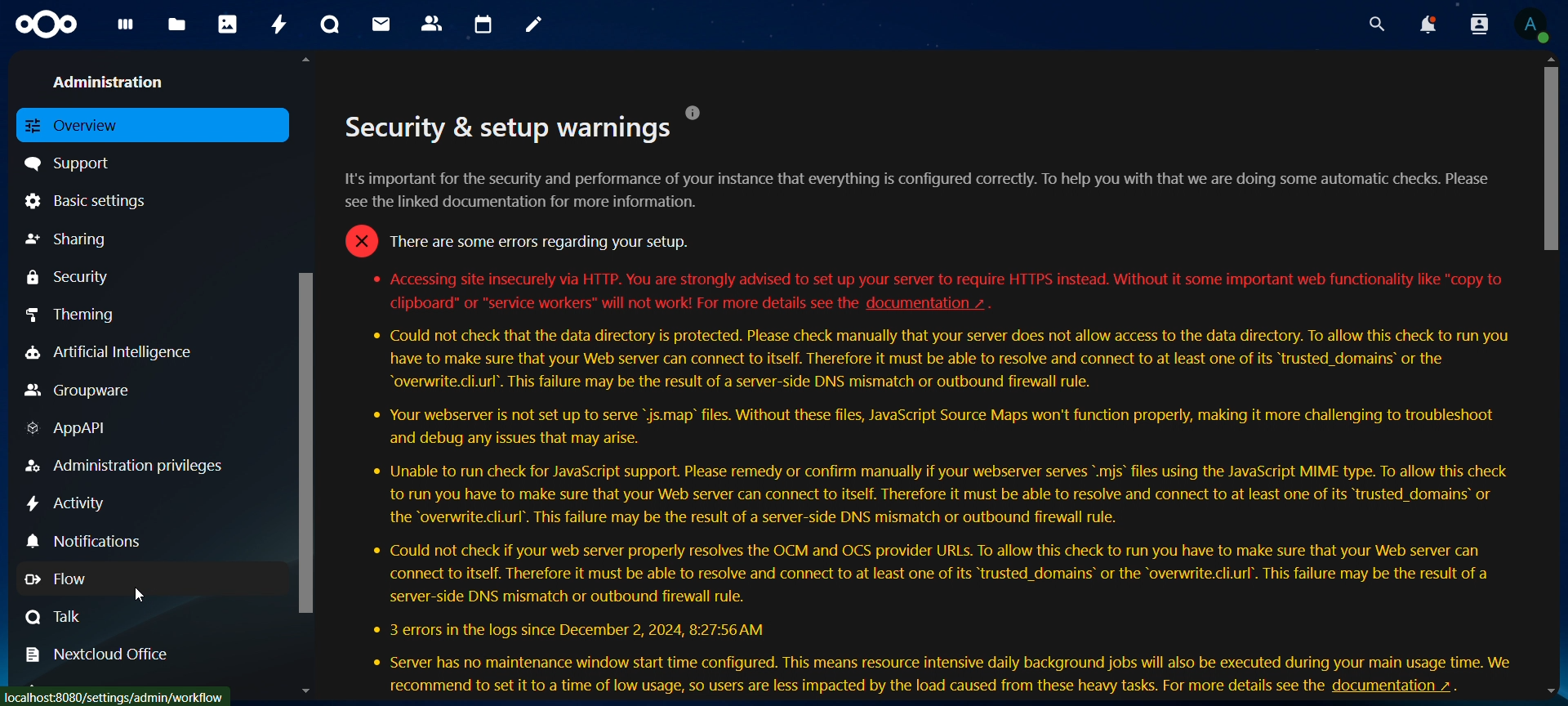 The image size is (1568, 706). Describe the element at coordinates (109, 353) in the screenshot. I see `artificial intelligence` at that location.